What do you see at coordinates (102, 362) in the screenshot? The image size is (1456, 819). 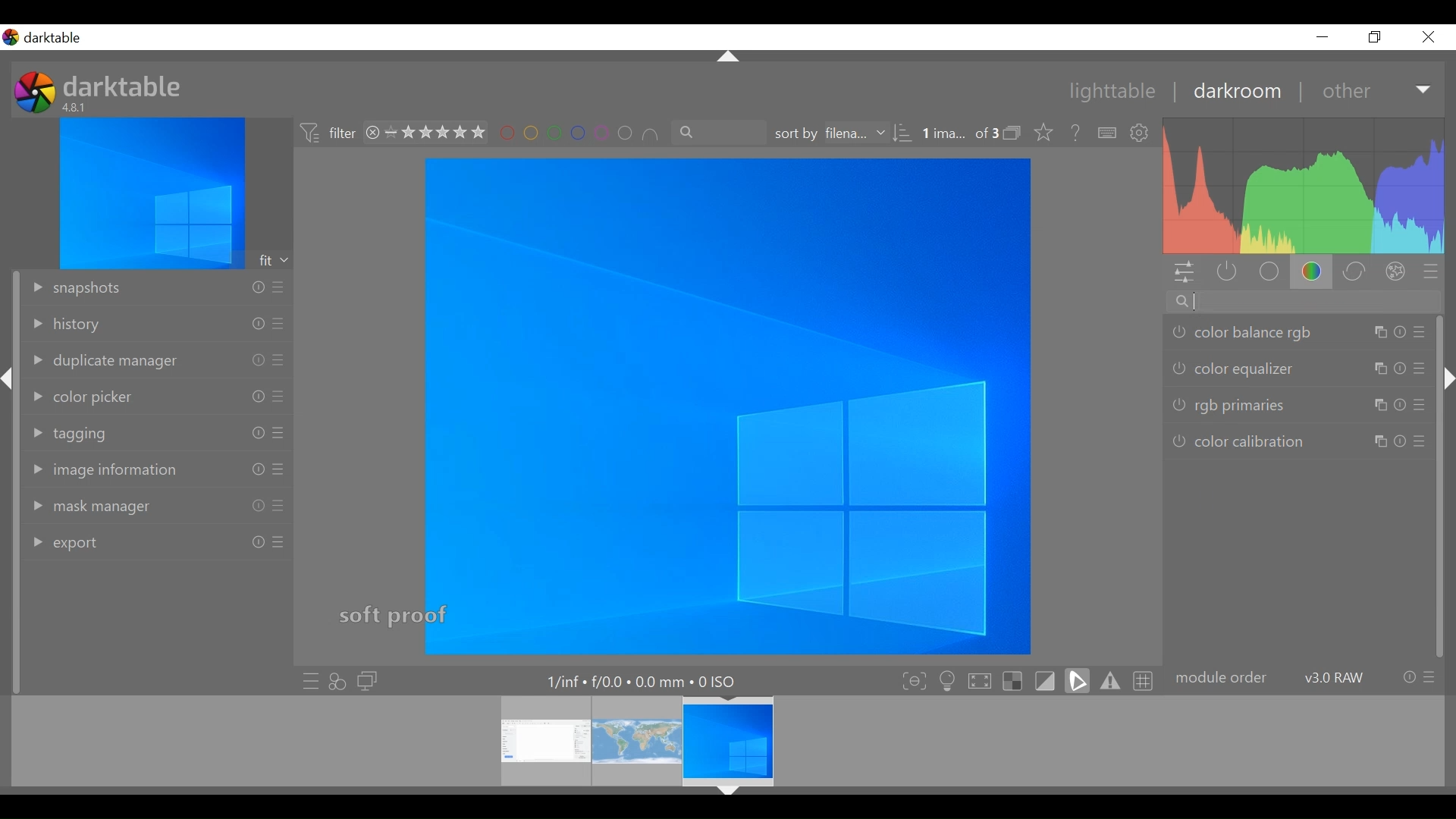 I see `duplicate manager` at bounding box center [102, 362].